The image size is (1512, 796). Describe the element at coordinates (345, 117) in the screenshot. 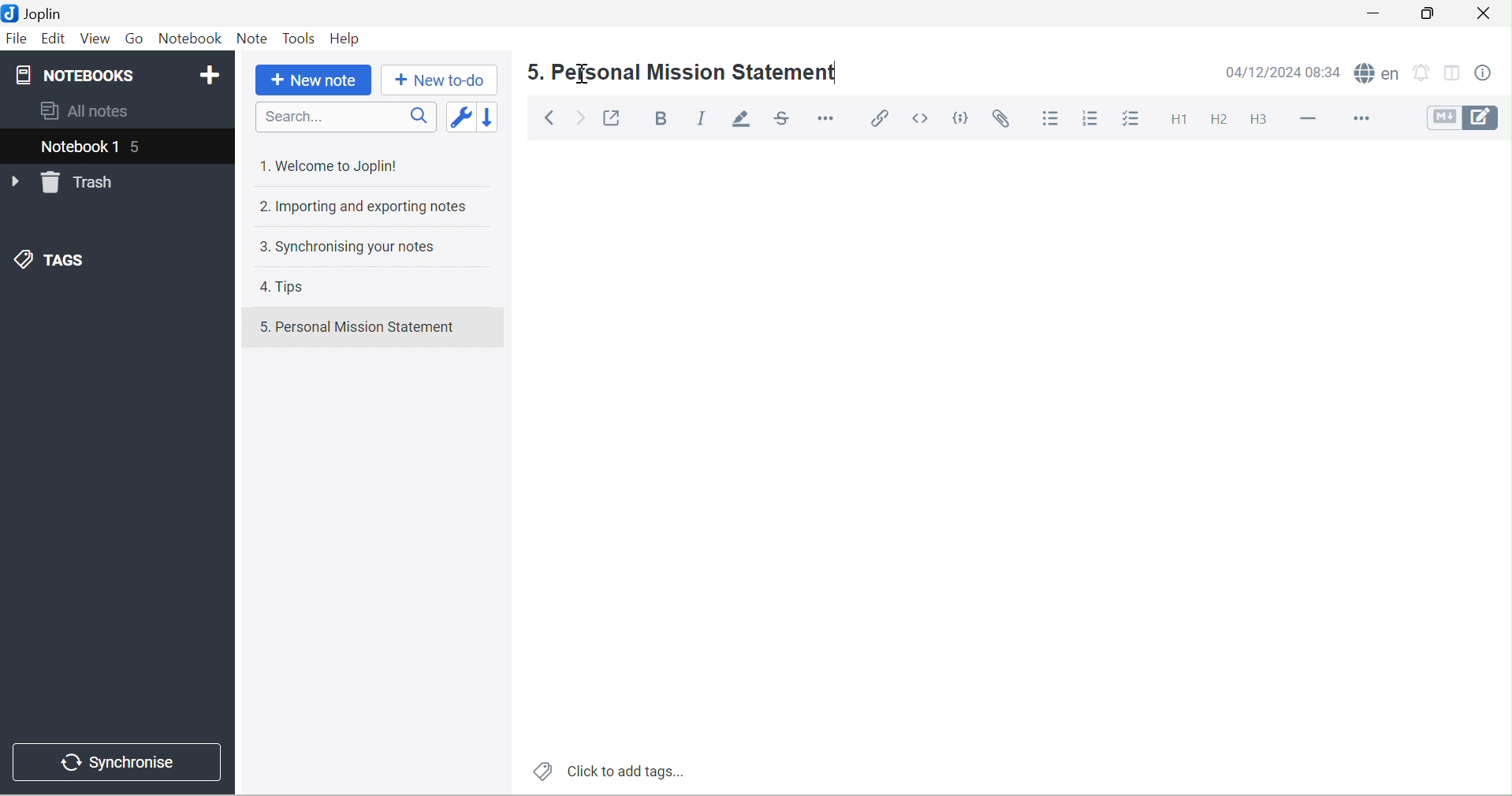

I see `Search` at that location.